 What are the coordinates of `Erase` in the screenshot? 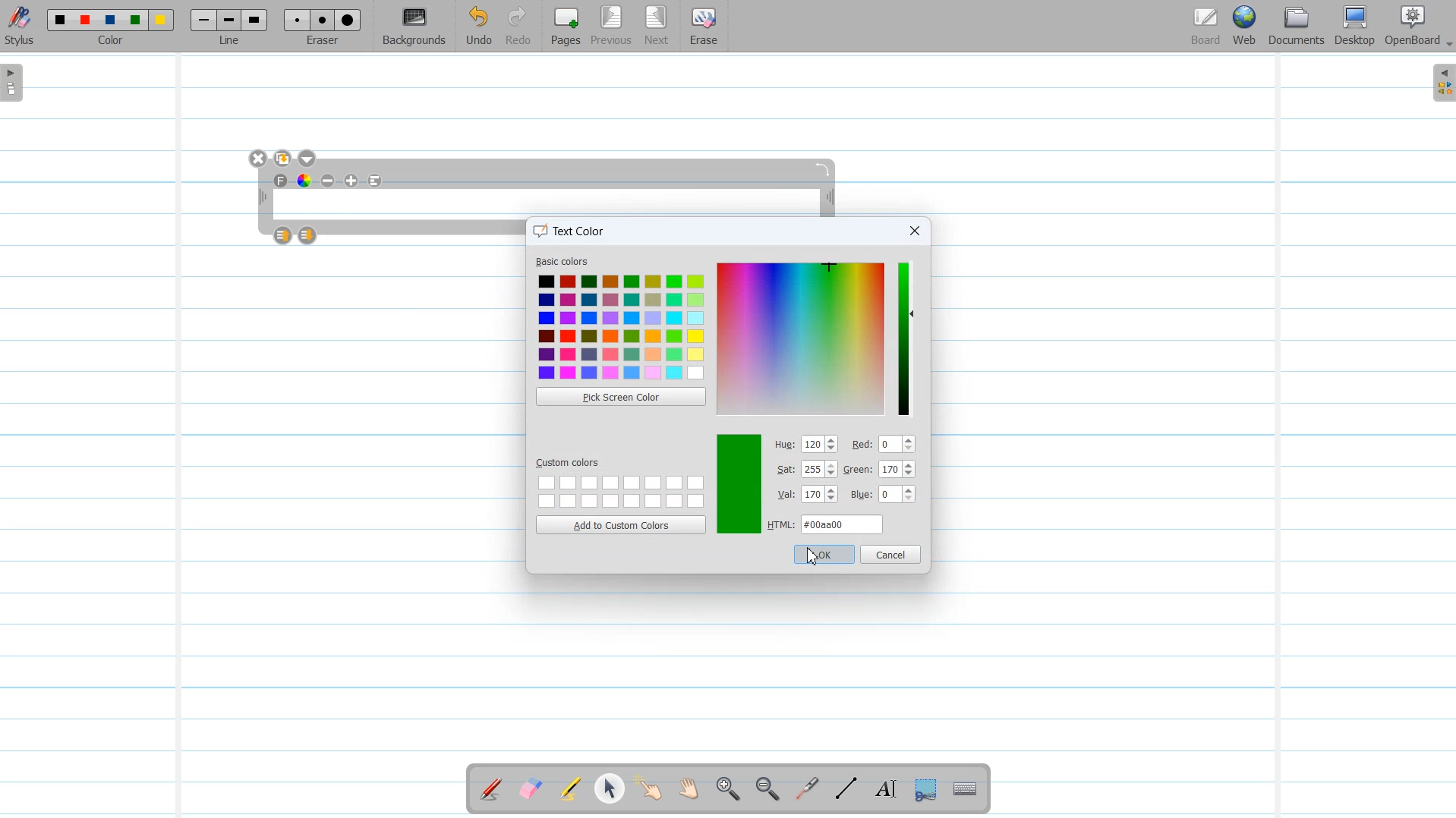 It's located at (702, 27).